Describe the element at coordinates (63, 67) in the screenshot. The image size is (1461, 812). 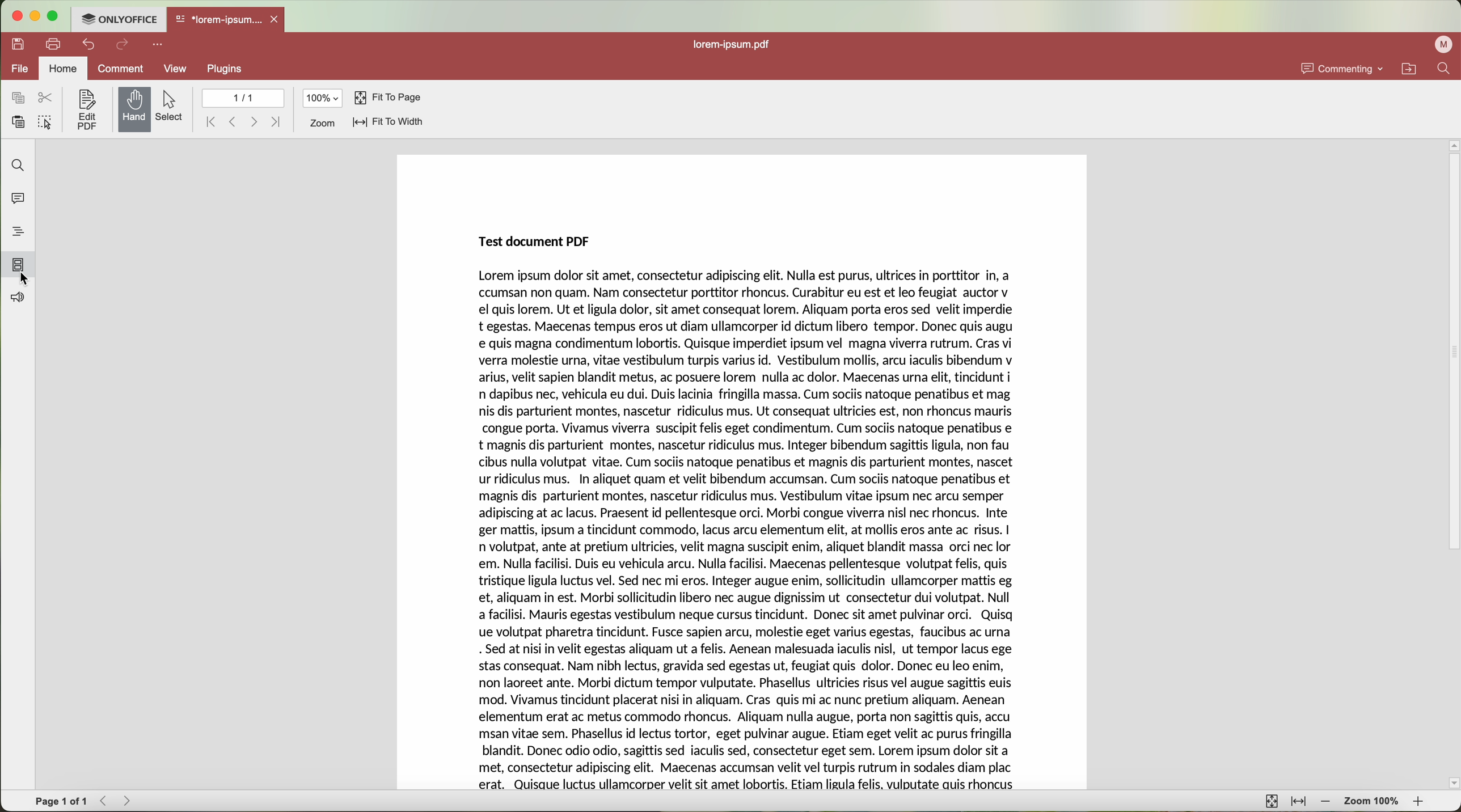
I see `home` at that location.